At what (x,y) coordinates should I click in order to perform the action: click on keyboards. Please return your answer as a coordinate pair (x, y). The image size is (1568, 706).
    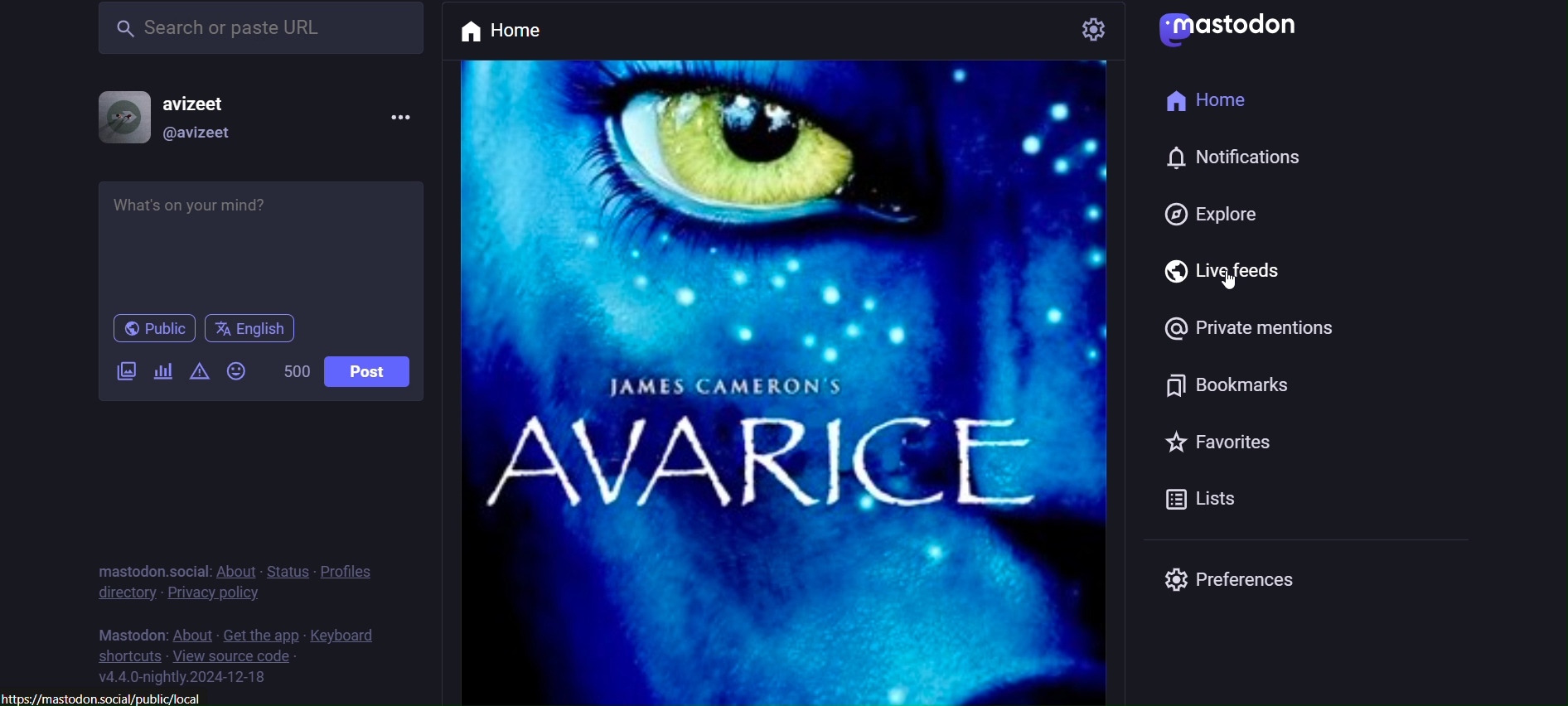
    Looking at the image, I should click on (346, 628).